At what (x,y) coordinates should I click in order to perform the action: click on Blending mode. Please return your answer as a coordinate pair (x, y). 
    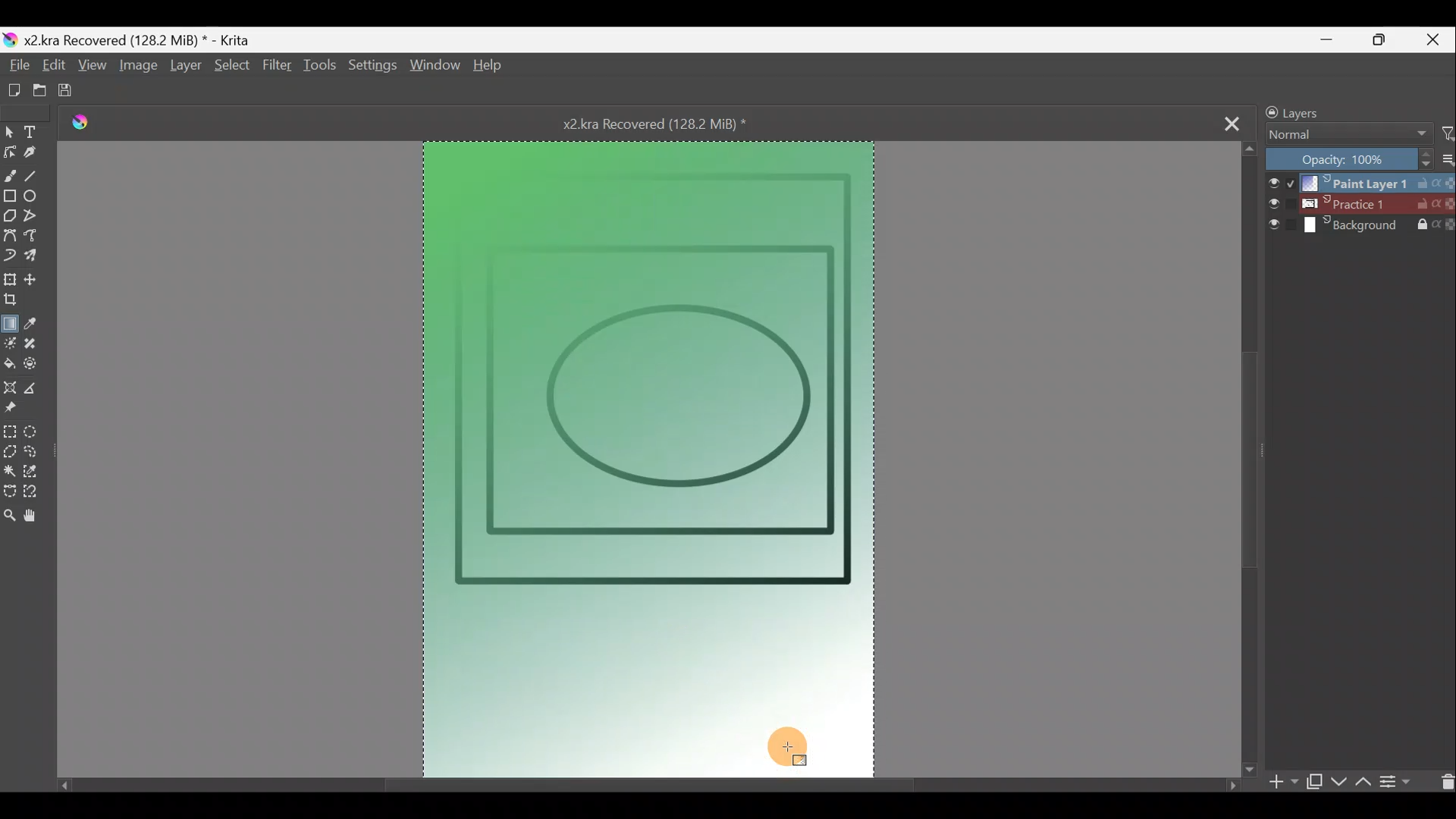
    Looking at the image, I should click on (1343, 136).